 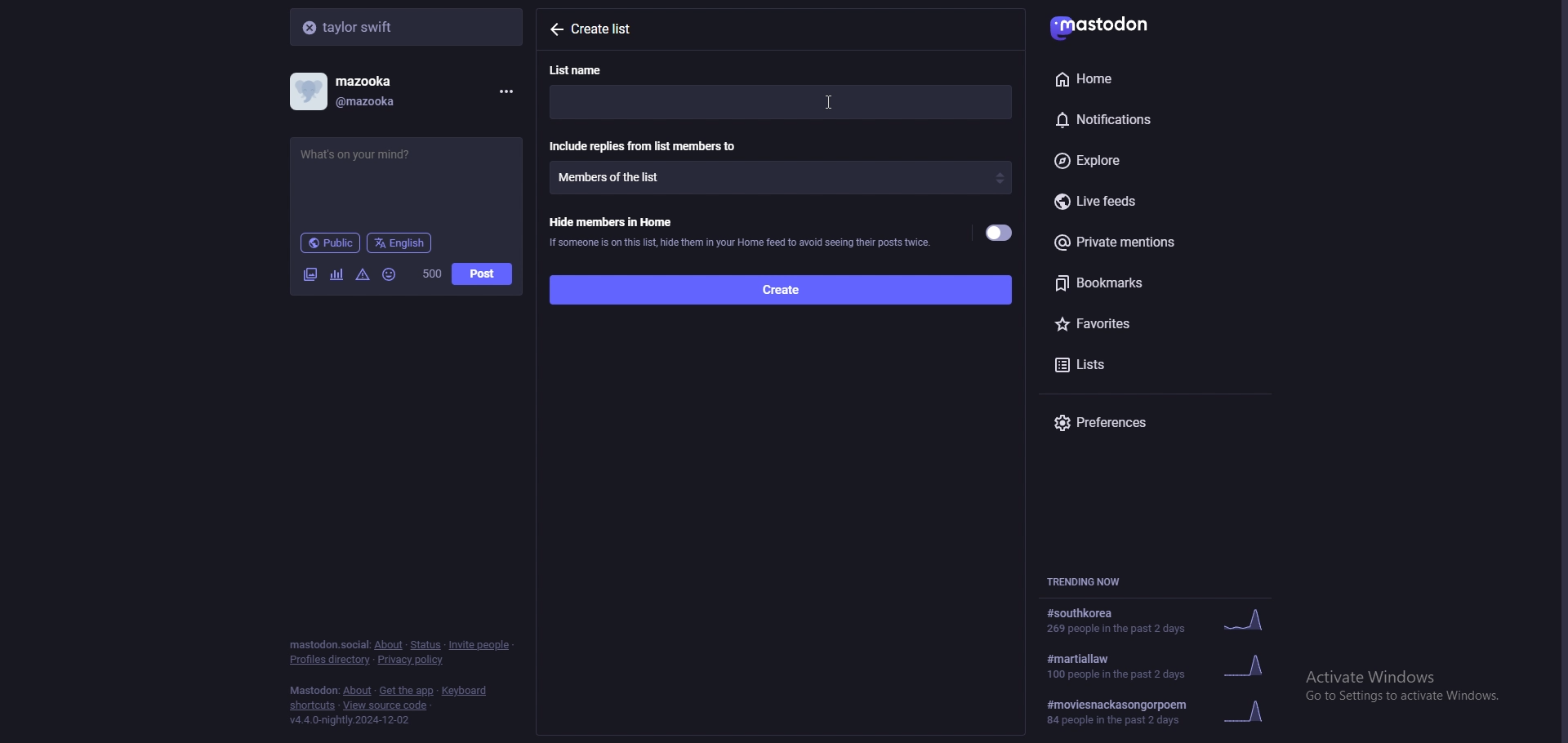 What do you see at coordinates (425, 645) in the screenshot?
I see `status` at bounding box center [425, 645].